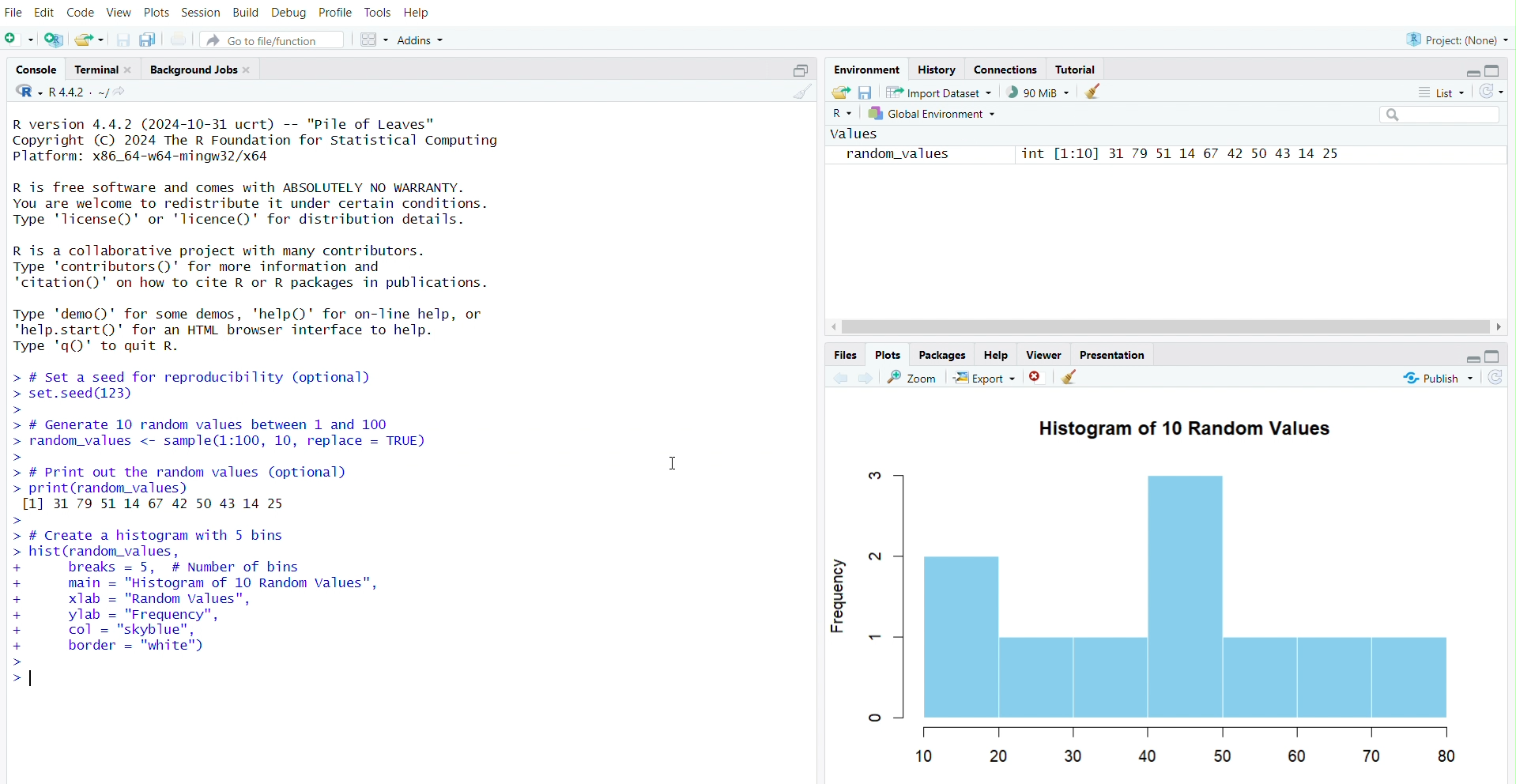 This screenshot has width=1516, height=784. What do you see at coordinates (1117, 353) in the screenshot?
I see `presentation` at bounding box center [1117, 353].